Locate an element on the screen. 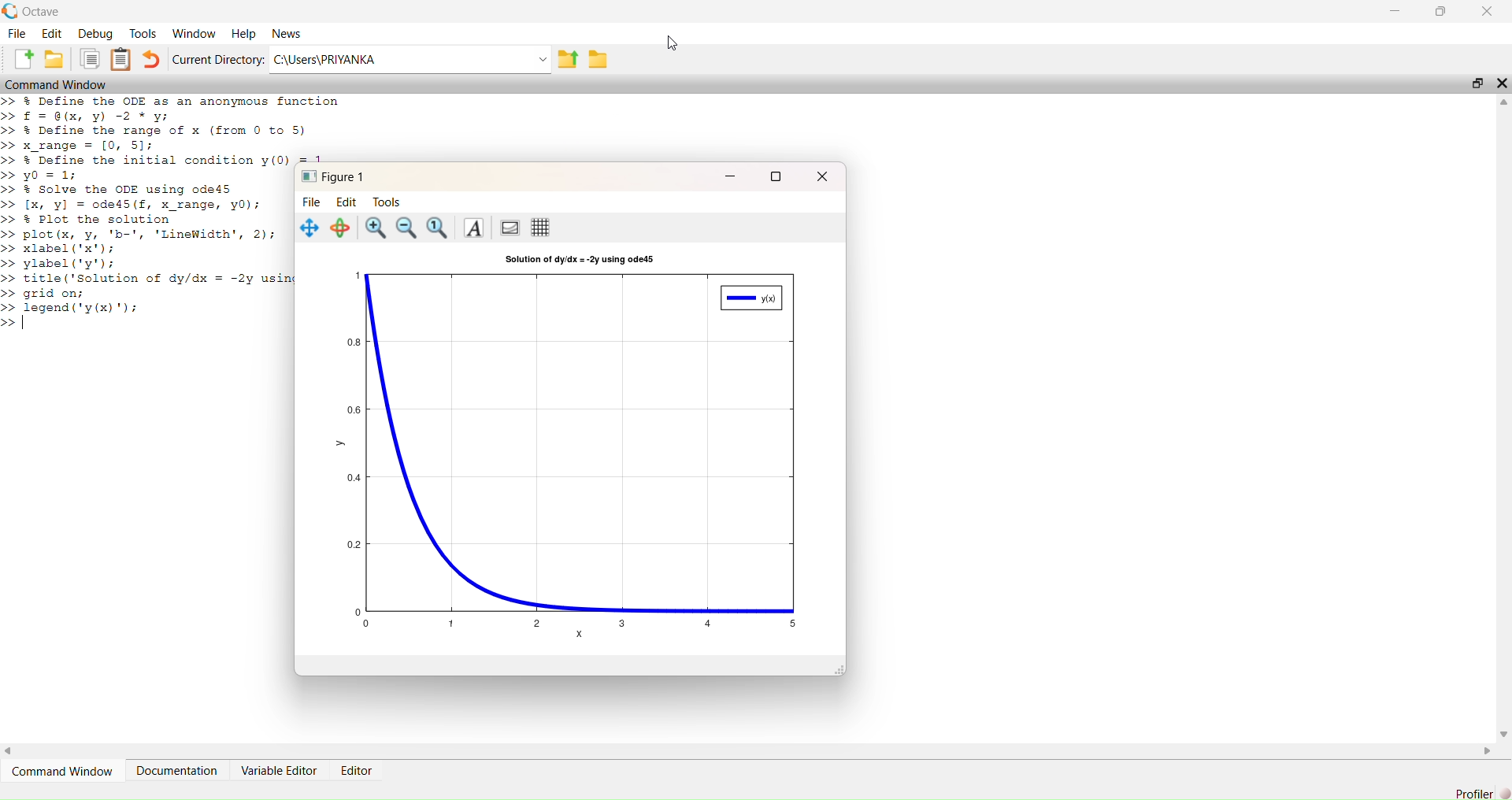 Image resolution: width=1512 pixels, height=800 pixels. Paste is located at coordinates (121, 59).